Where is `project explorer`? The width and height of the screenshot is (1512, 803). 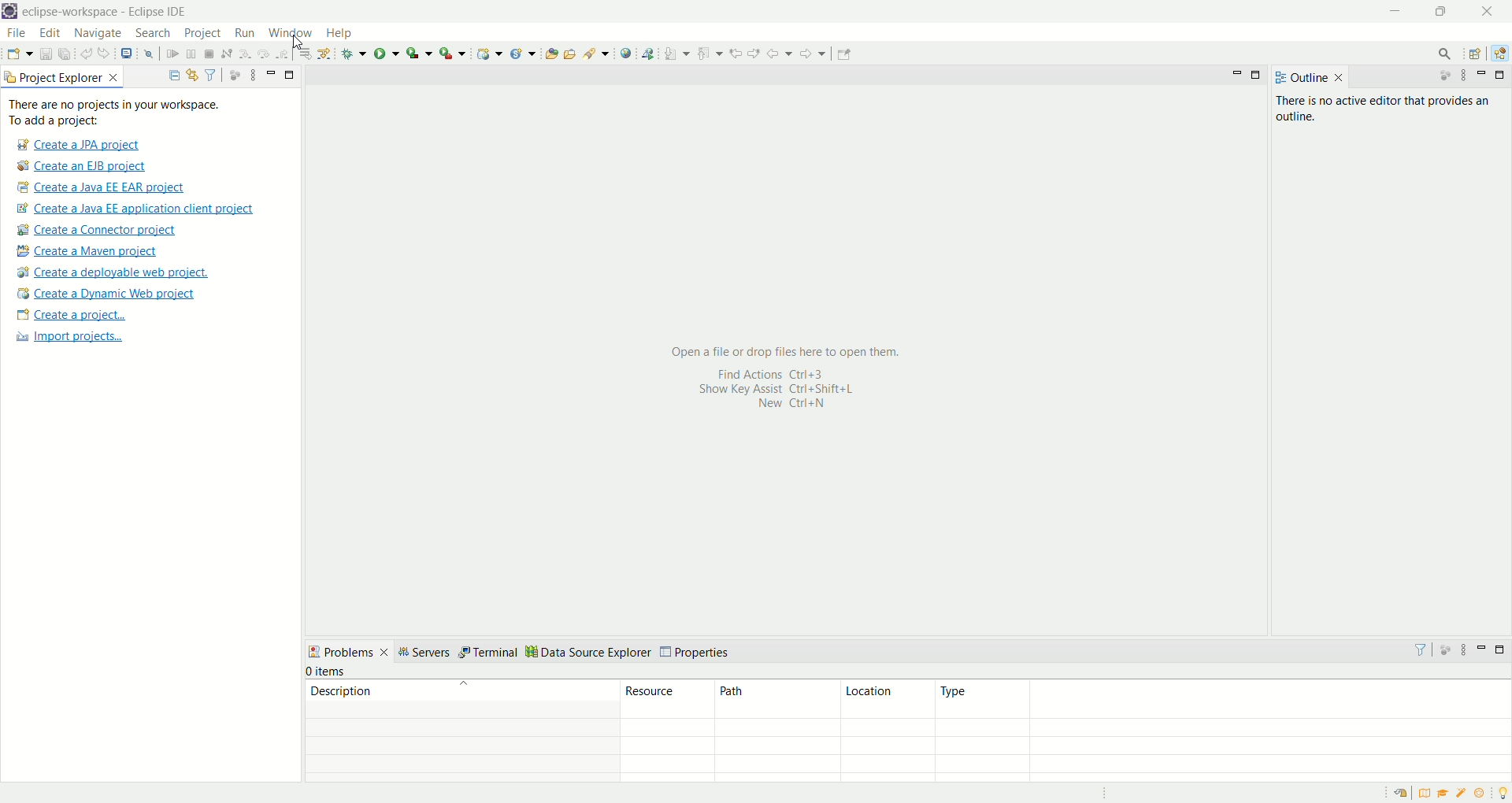
project explorer is located at coordinates (63, 76).